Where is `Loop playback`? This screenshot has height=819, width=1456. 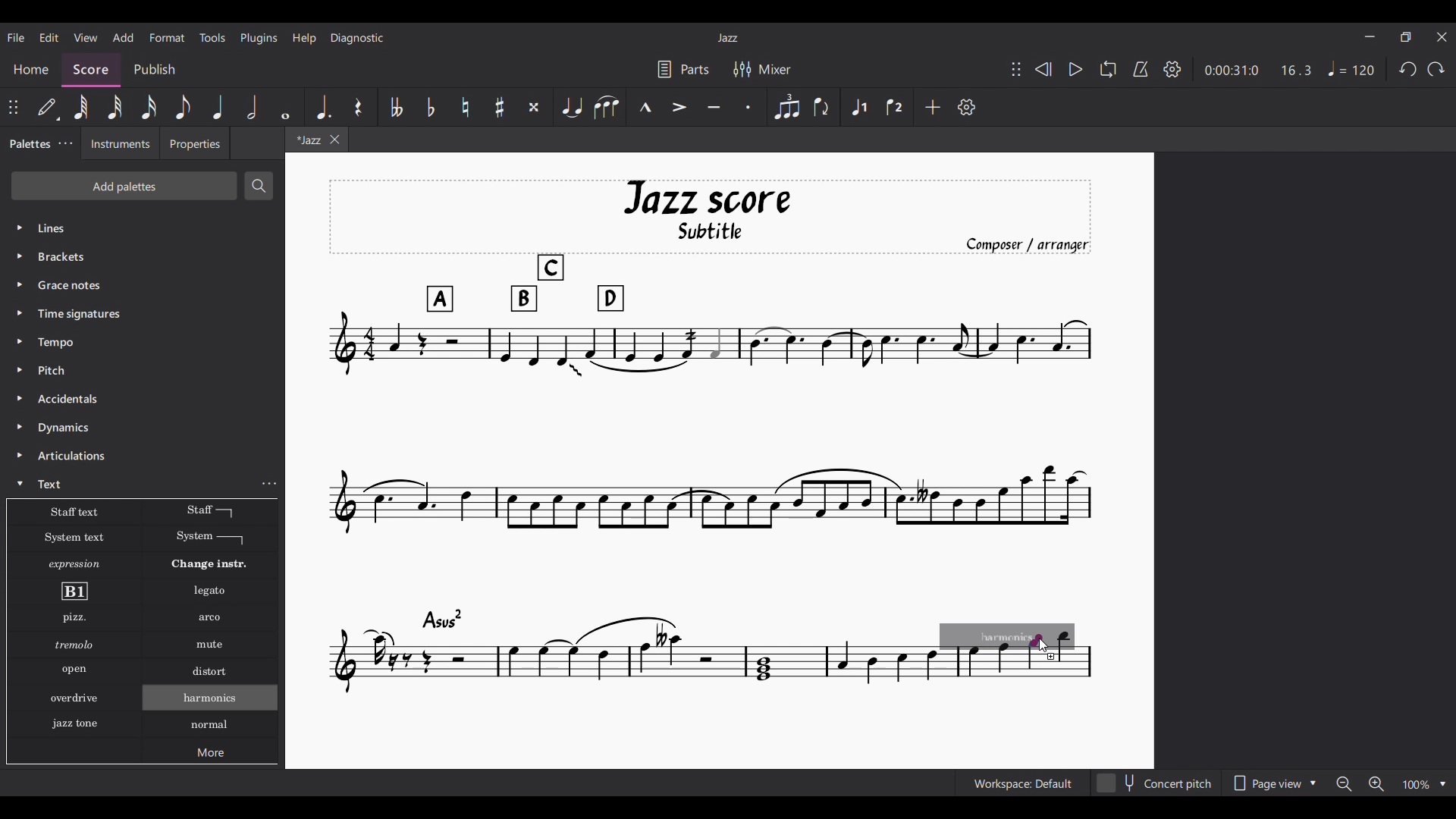
Loop playback is located at coordinates (1109, 69).